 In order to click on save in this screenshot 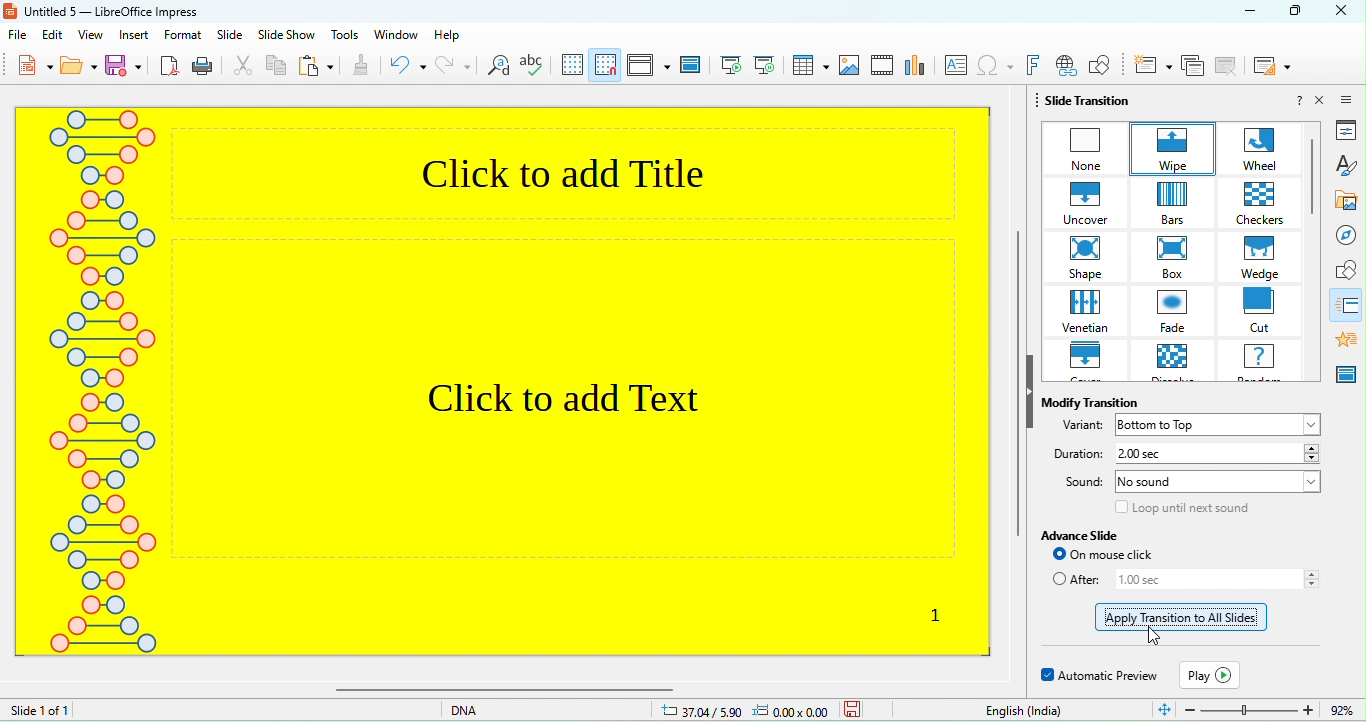, I will do `click(126, 65)`.